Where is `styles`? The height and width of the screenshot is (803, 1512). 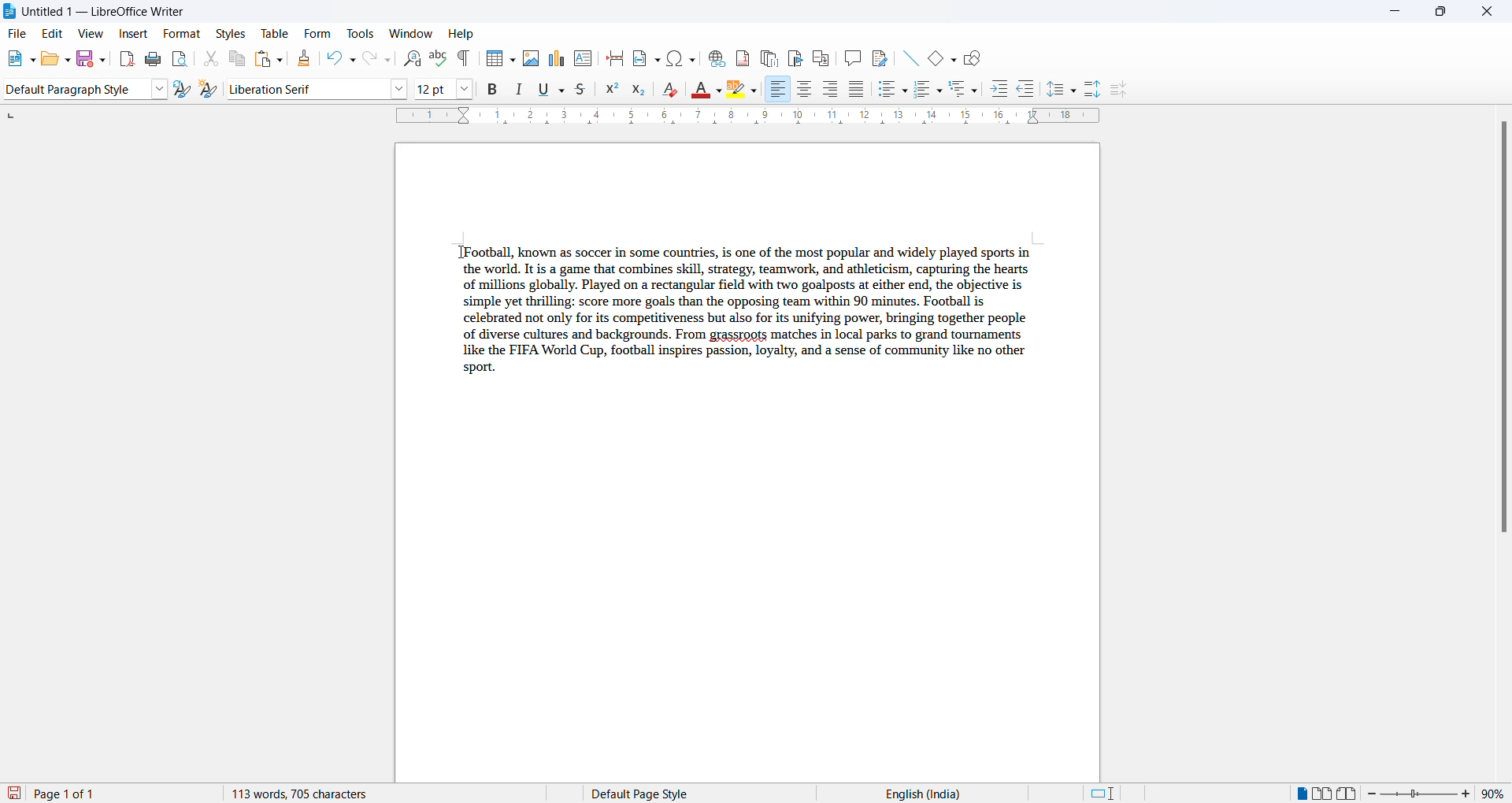 styles is located at coordinates (231, 34).